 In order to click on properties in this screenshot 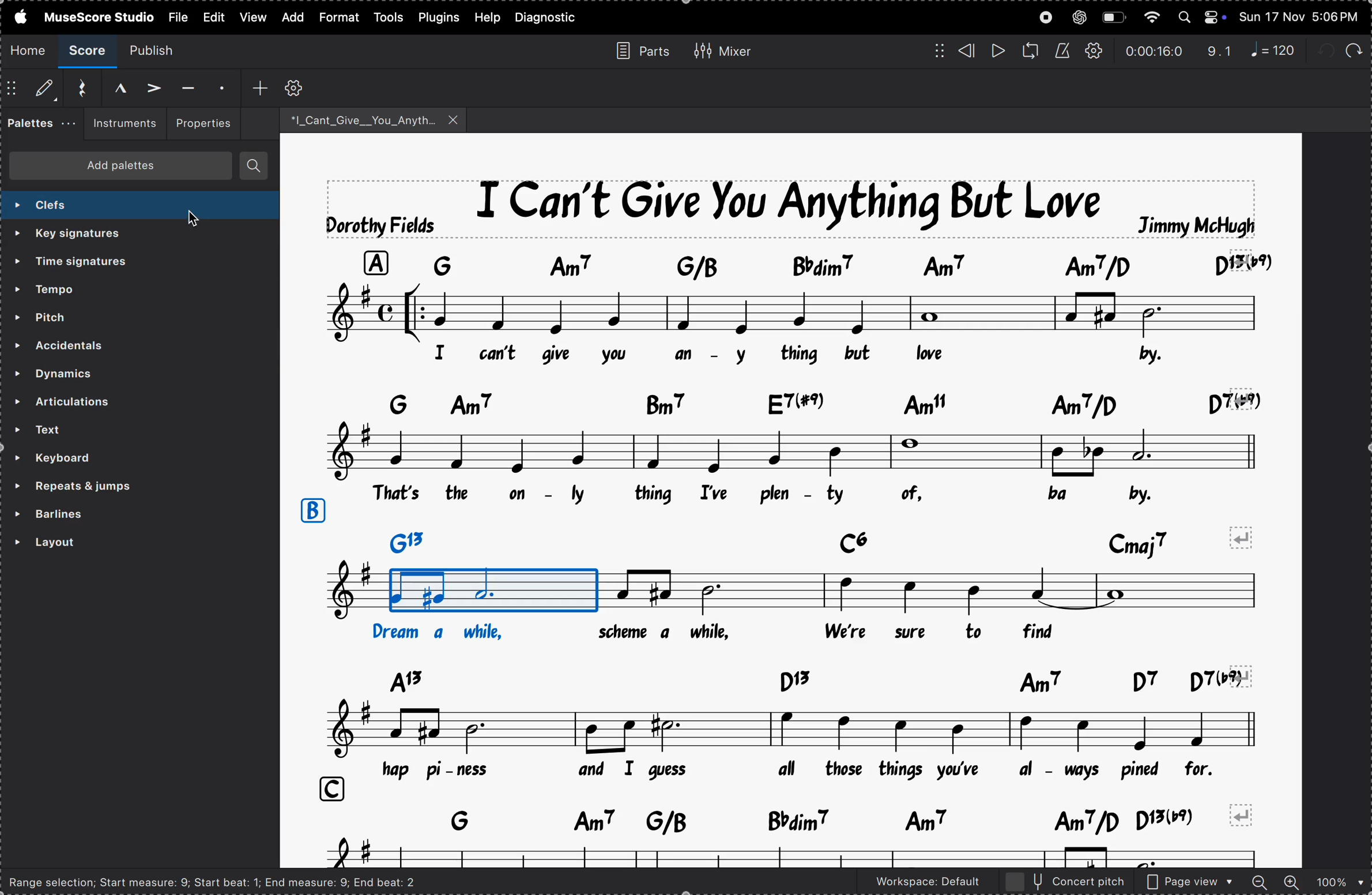, I will do `click(202, 122)`.